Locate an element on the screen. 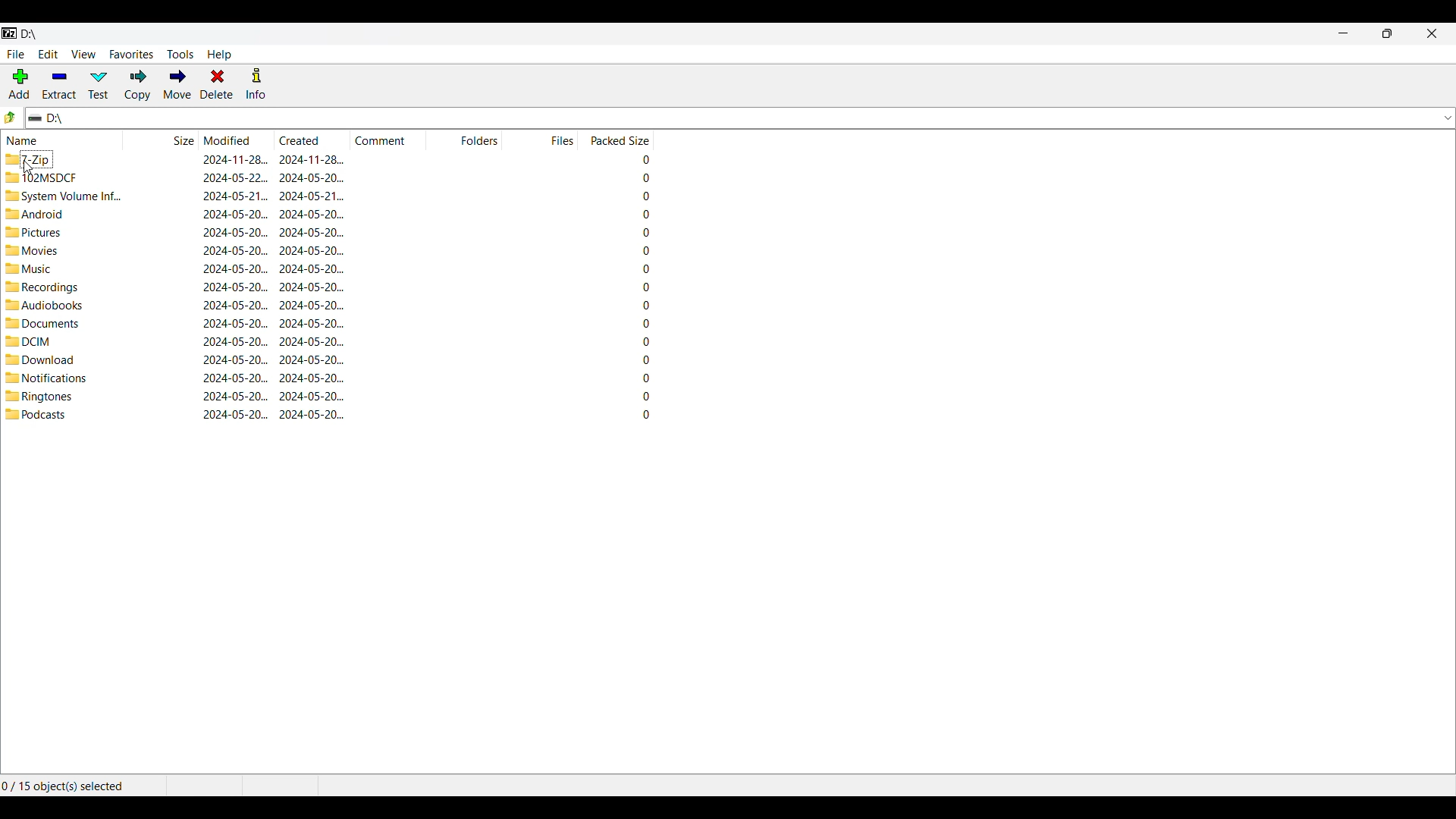  packed size is located at coordinates (639, 196).